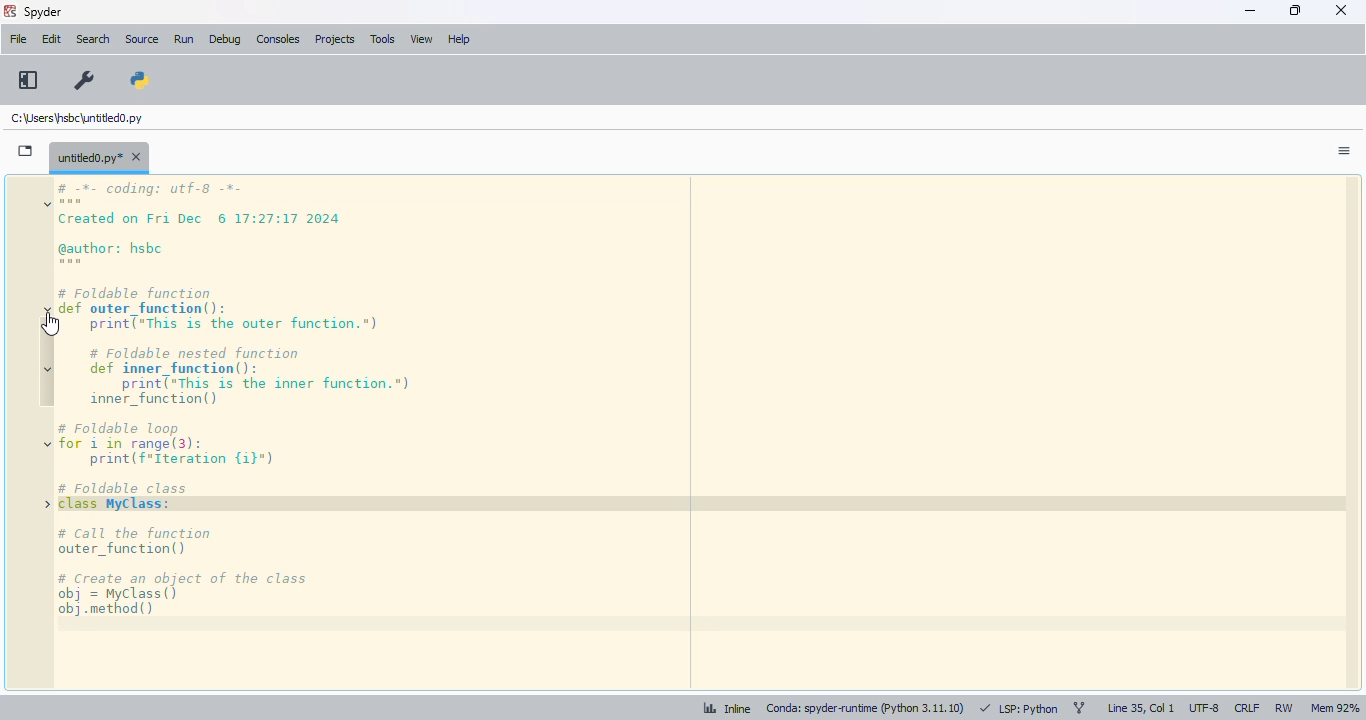 This screenshot has height=720, width=1366. I want to click on maximize current pane, so click(28, 80).